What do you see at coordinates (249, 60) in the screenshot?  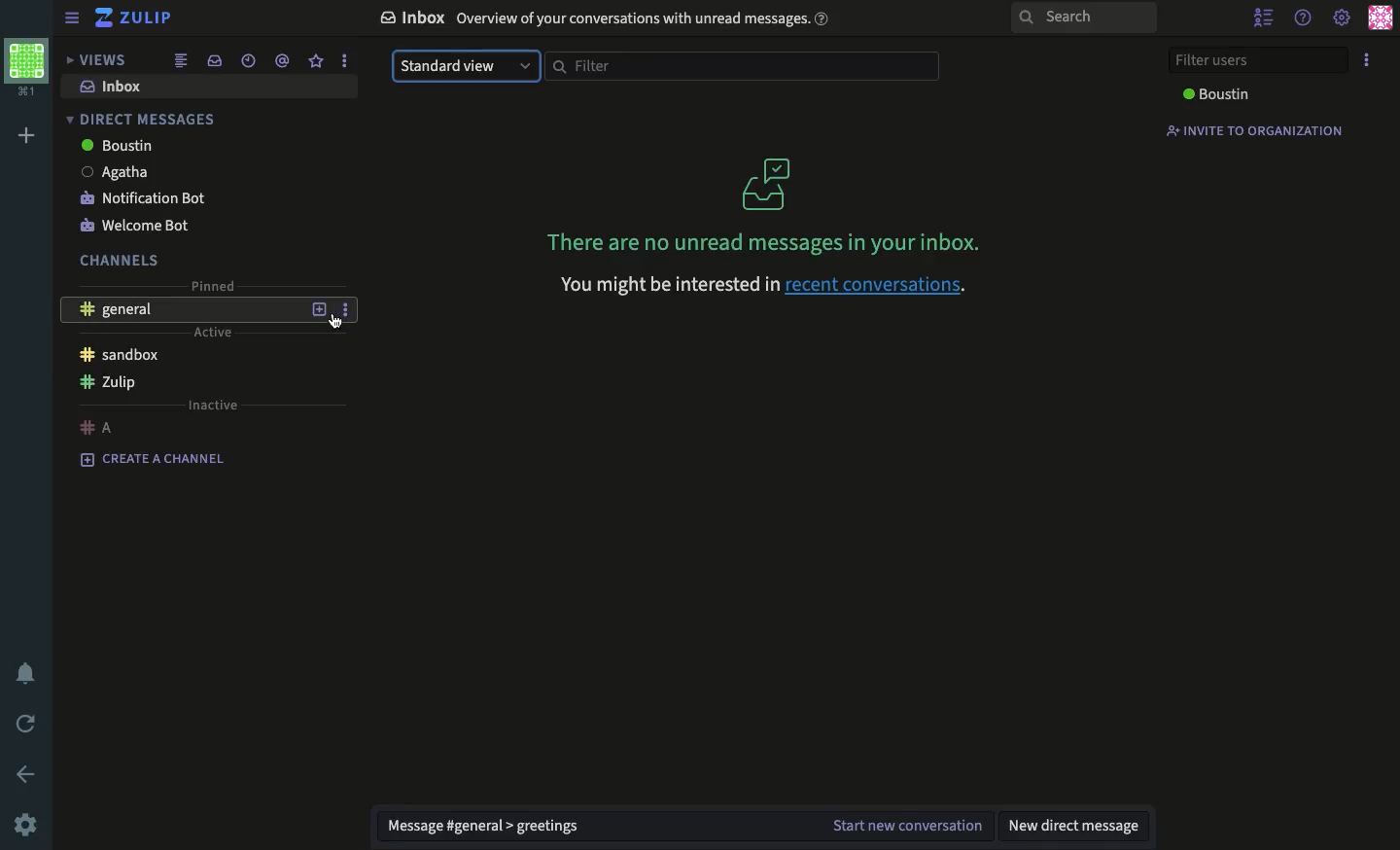 I see `time` at bounding box center [249, 60].